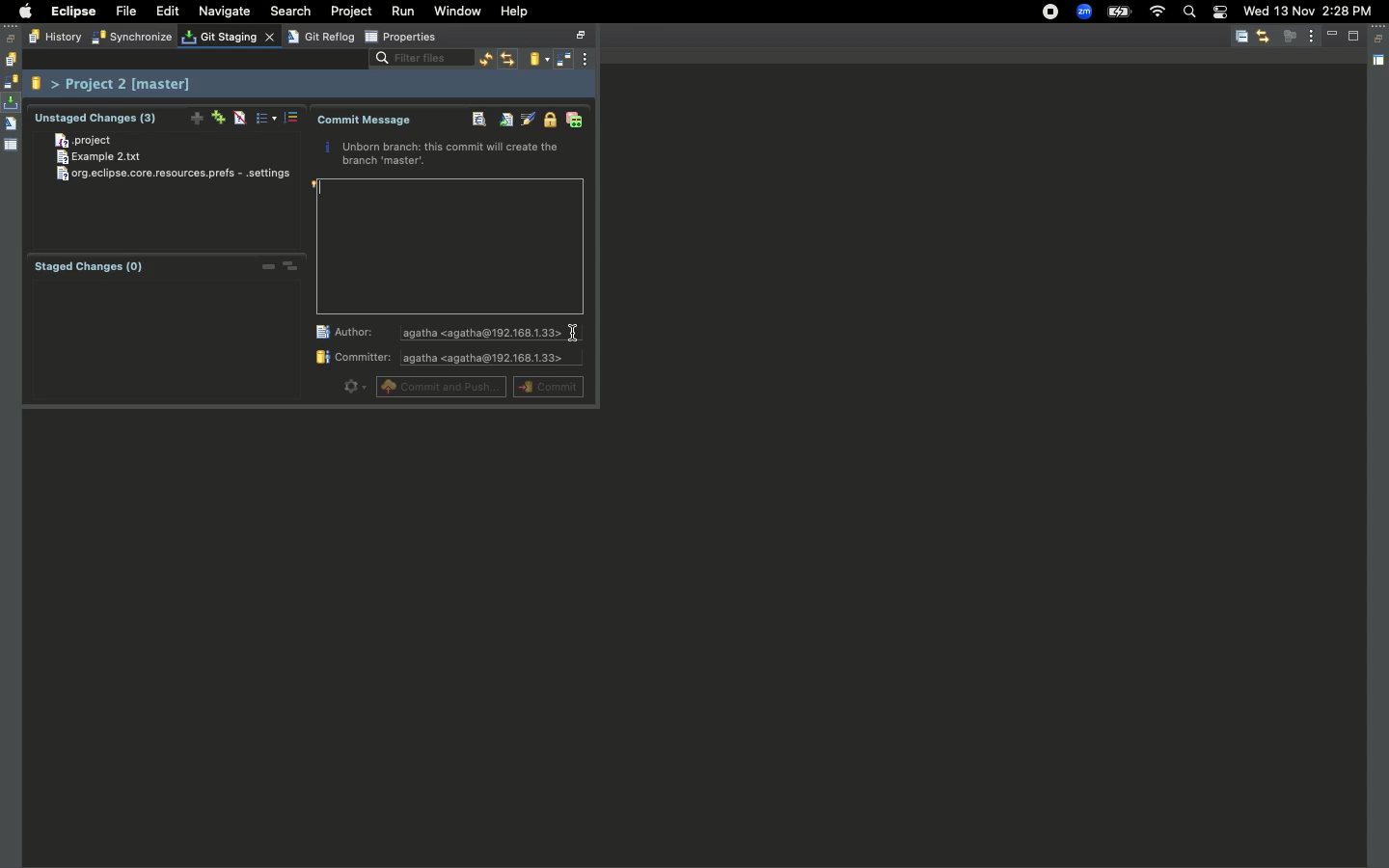 This screenshot has width=1389, height=868. What do you see at coordinates (446, 360) in the screenshot?
I see `Committer: agatha<agatha@192.168.1.33>` at bounding box center [446, 360].